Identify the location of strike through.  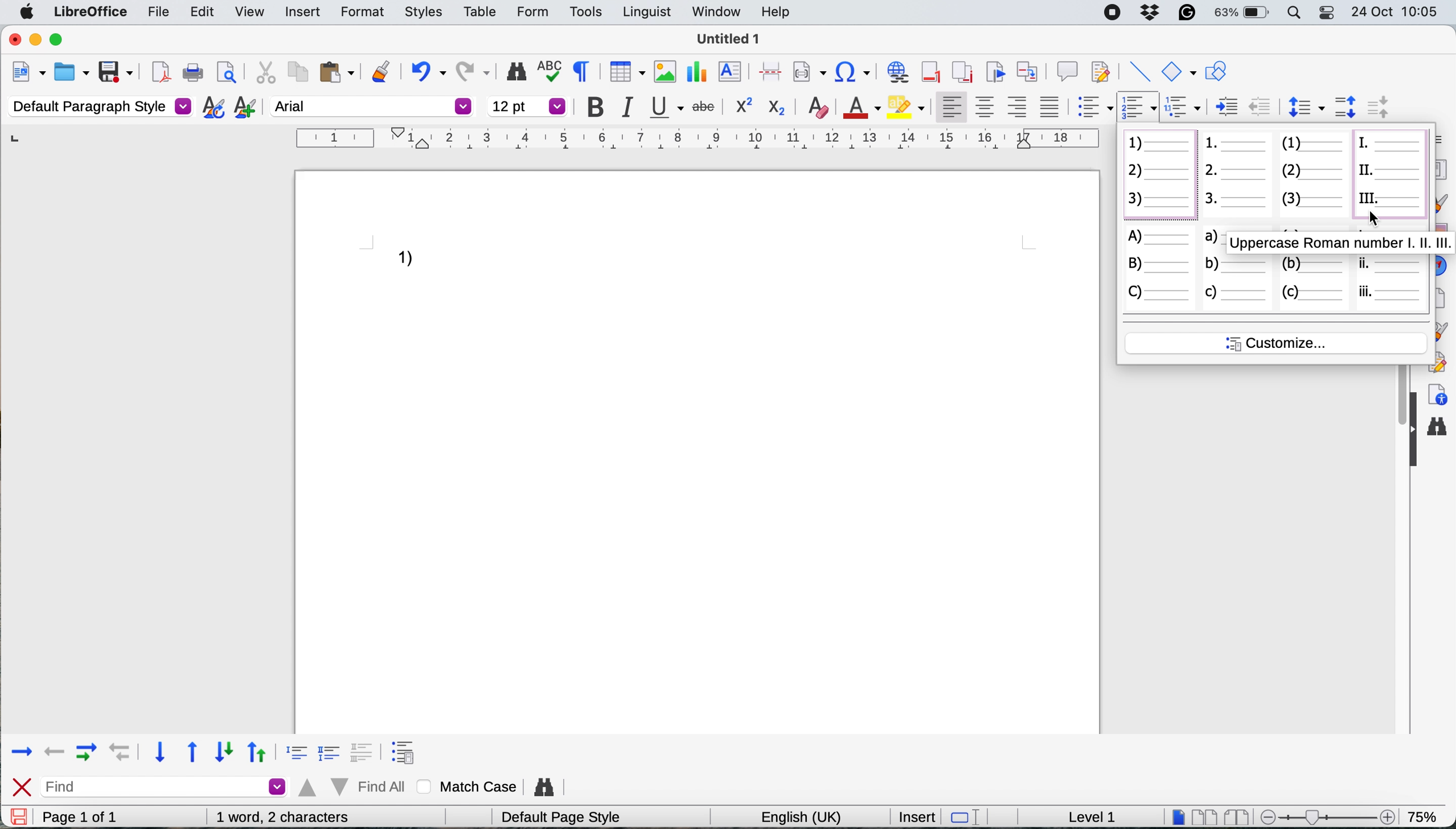
(706, 104).